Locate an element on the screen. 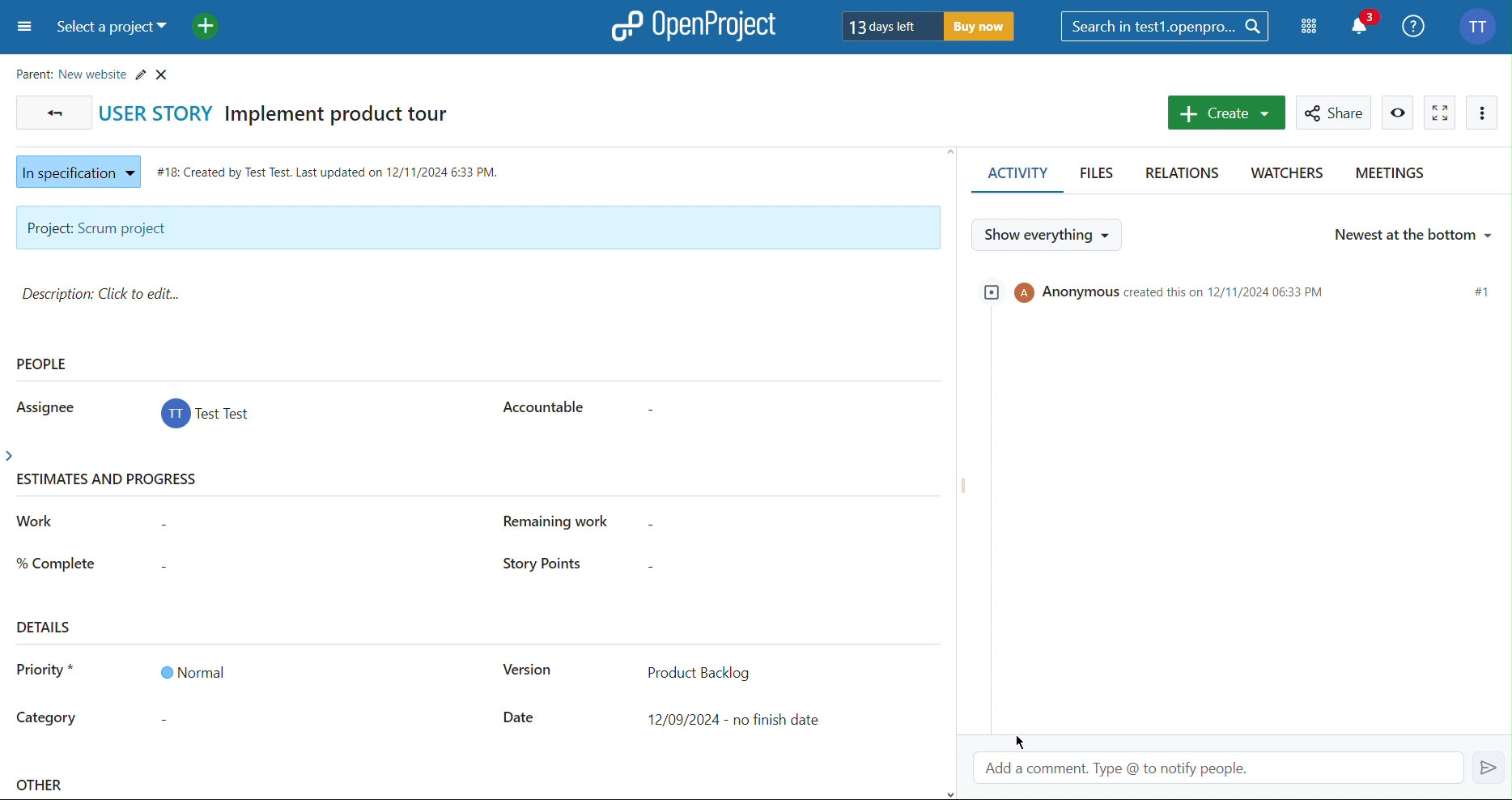 This screenshot has height=800, width=1512. Add new is located at coordinates (206, 25).